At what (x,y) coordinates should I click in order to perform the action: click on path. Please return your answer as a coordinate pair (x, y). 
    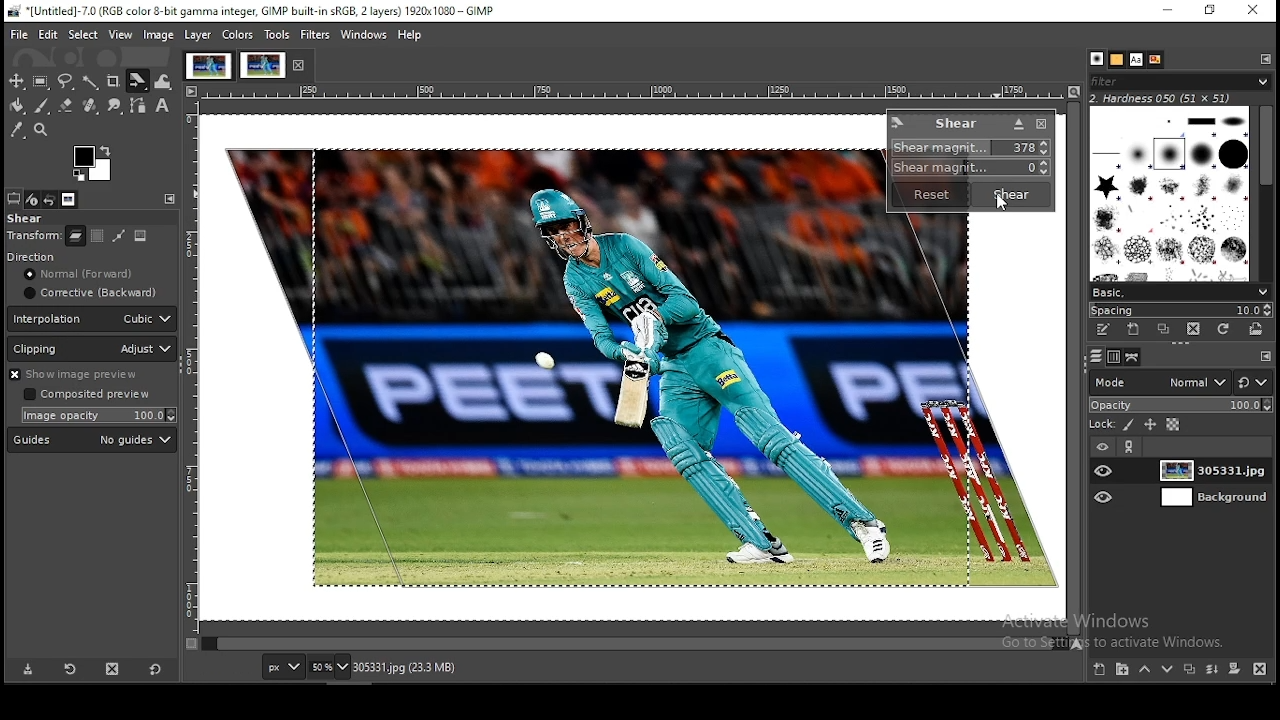
    Looking at the image, I should click on (117, 236).